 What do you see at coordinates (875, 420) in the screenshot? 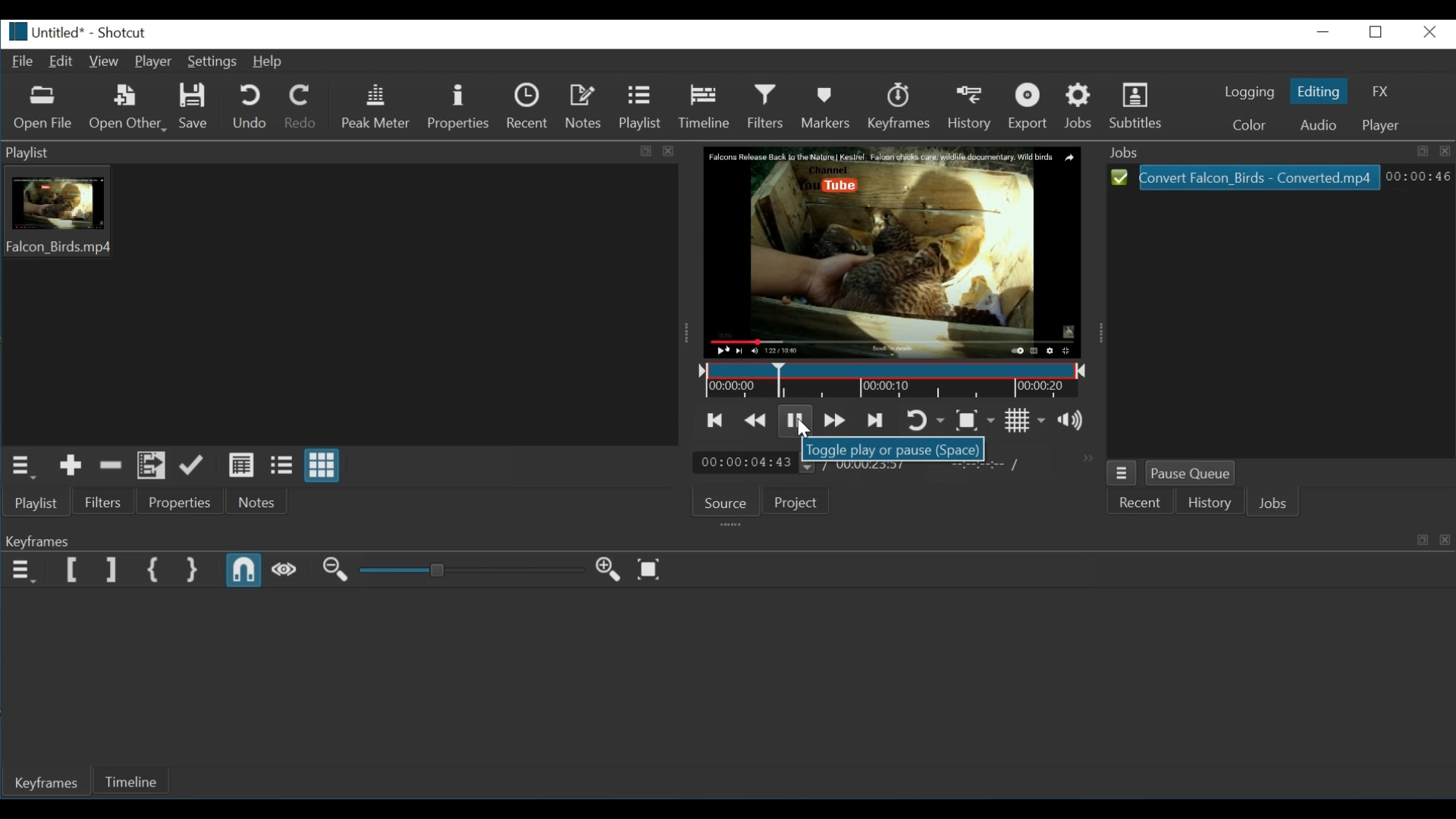
I see `Skip to the next point` at bounding box center [875, 420].